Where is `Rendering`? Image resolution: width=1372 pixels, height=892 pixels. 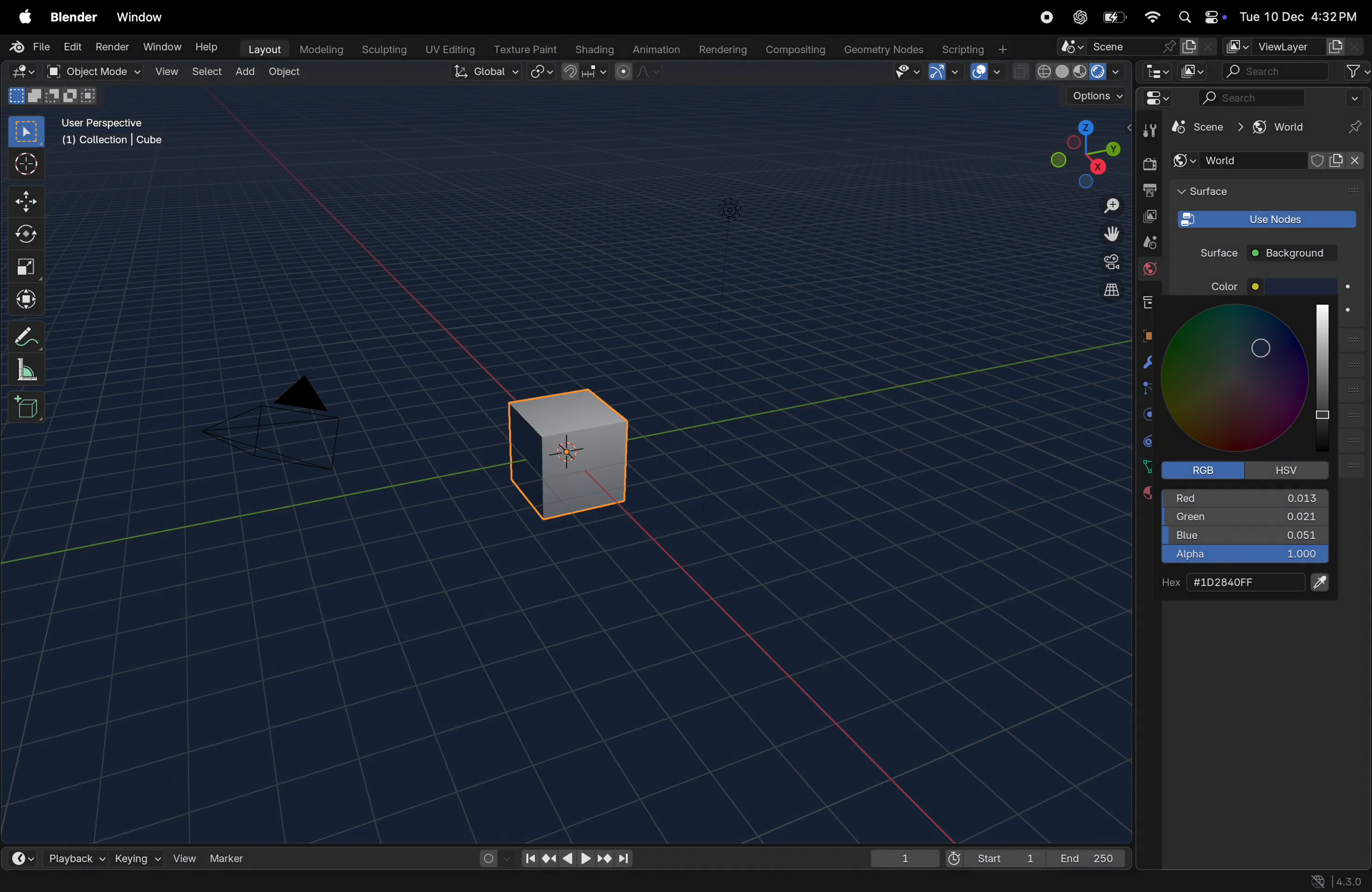 Rendering is located at coordinates (721, 49).